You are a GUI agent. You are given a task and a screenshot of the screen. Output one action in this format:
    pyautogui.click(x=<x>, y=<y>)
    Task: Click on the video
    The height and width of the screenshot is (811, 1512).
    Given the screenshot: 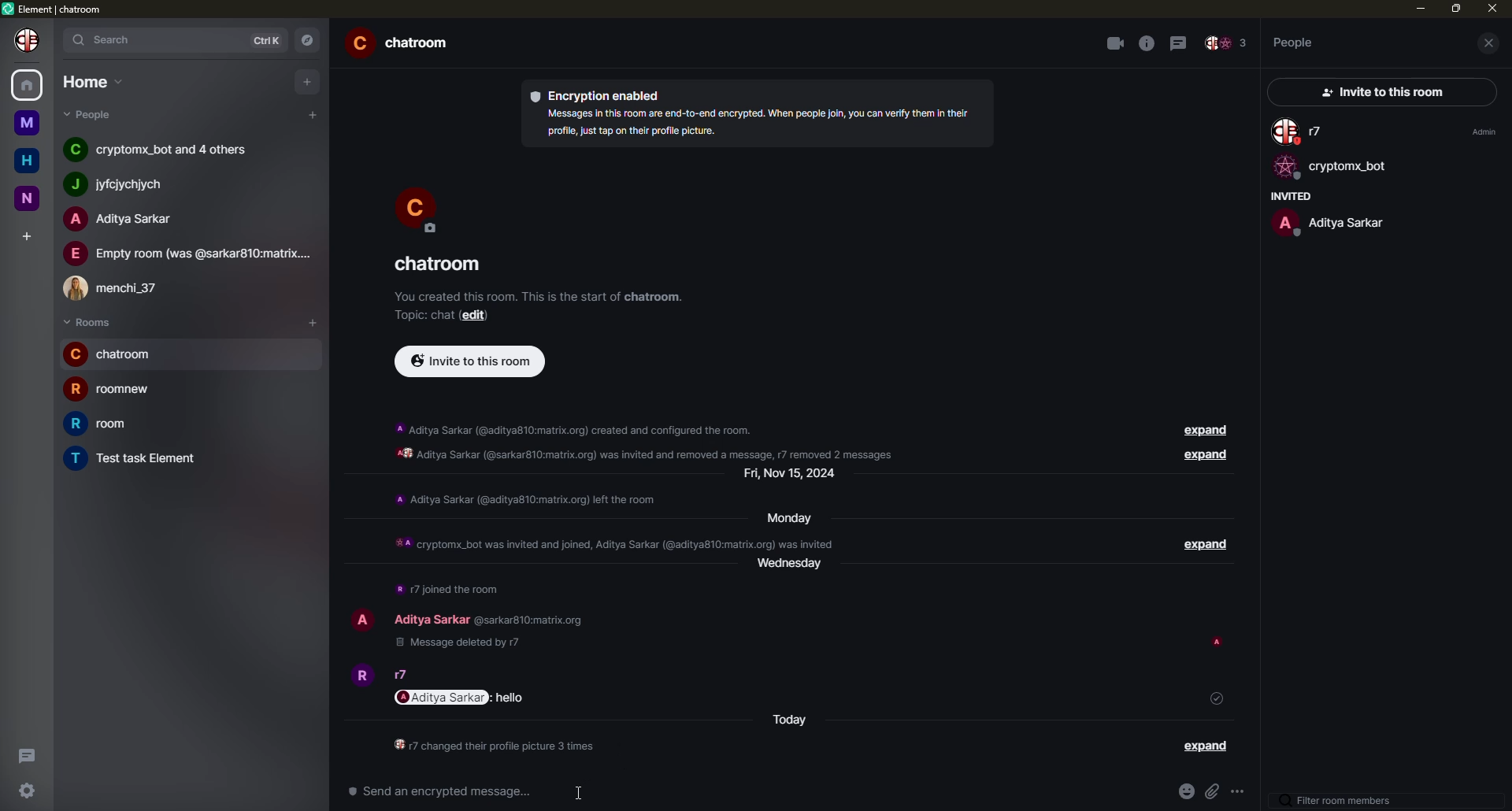 What is the action you would take?
    pyautogui.click(x=1114, y=43)
    